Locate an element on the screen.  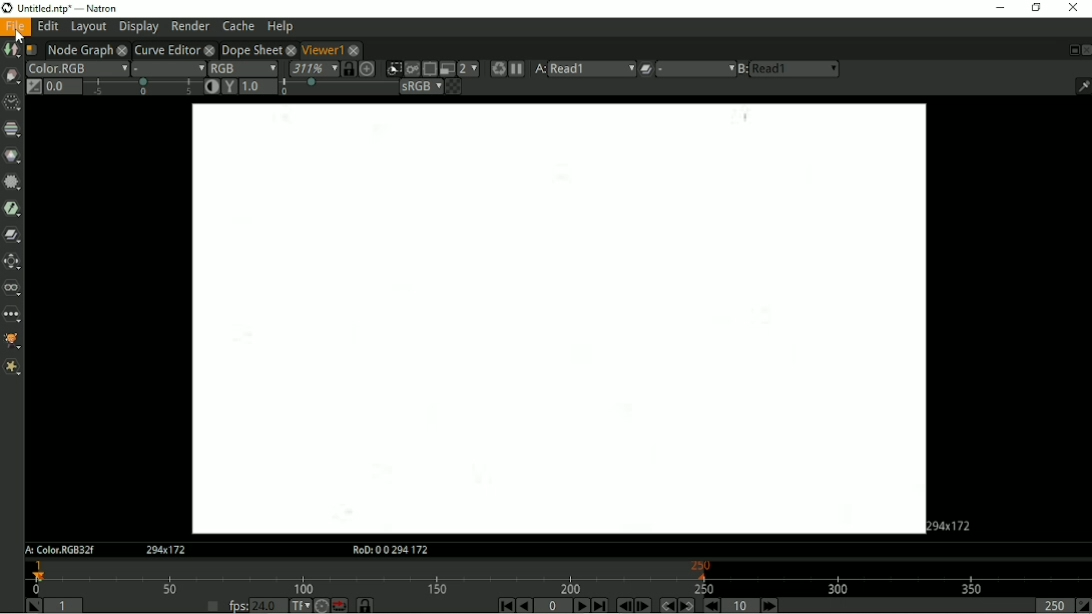
Layout is located at coordinates (87, 27).